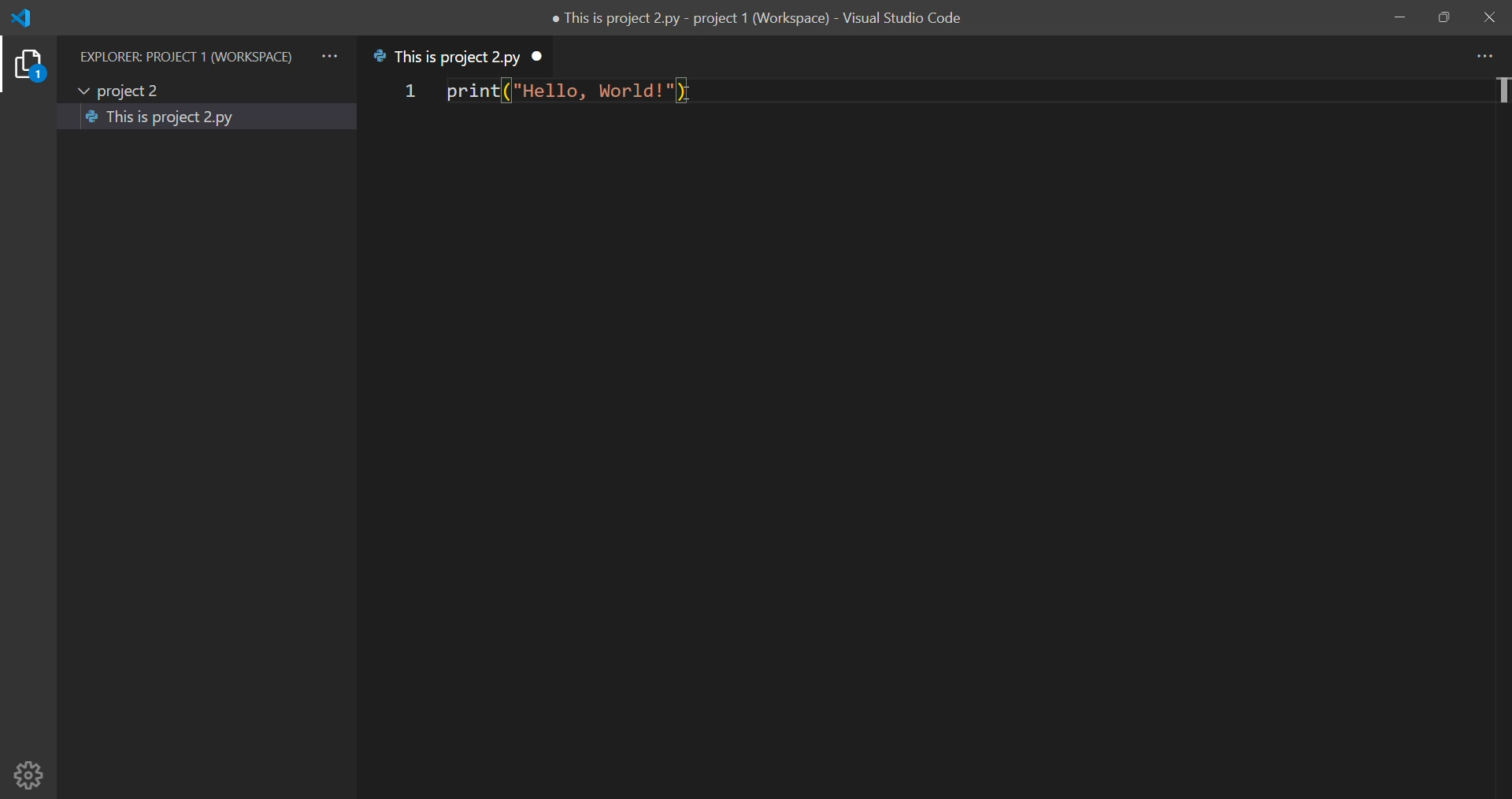 The width and height of the screenshot is (1512, 799). Describe the element at coordinates (447, 58) in the screenshot. I see `This is project 2.py` at that location.